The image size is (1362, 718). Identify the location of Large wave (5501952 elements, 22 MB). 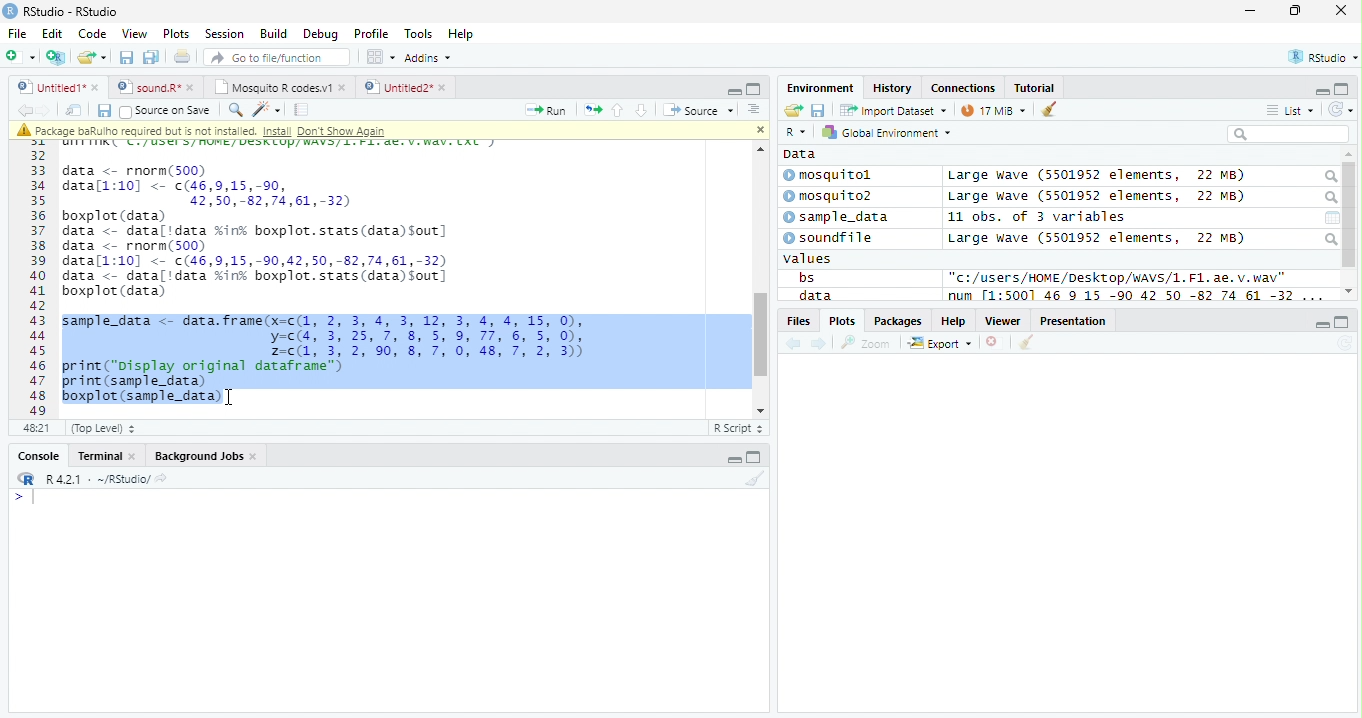
(1096, 238).